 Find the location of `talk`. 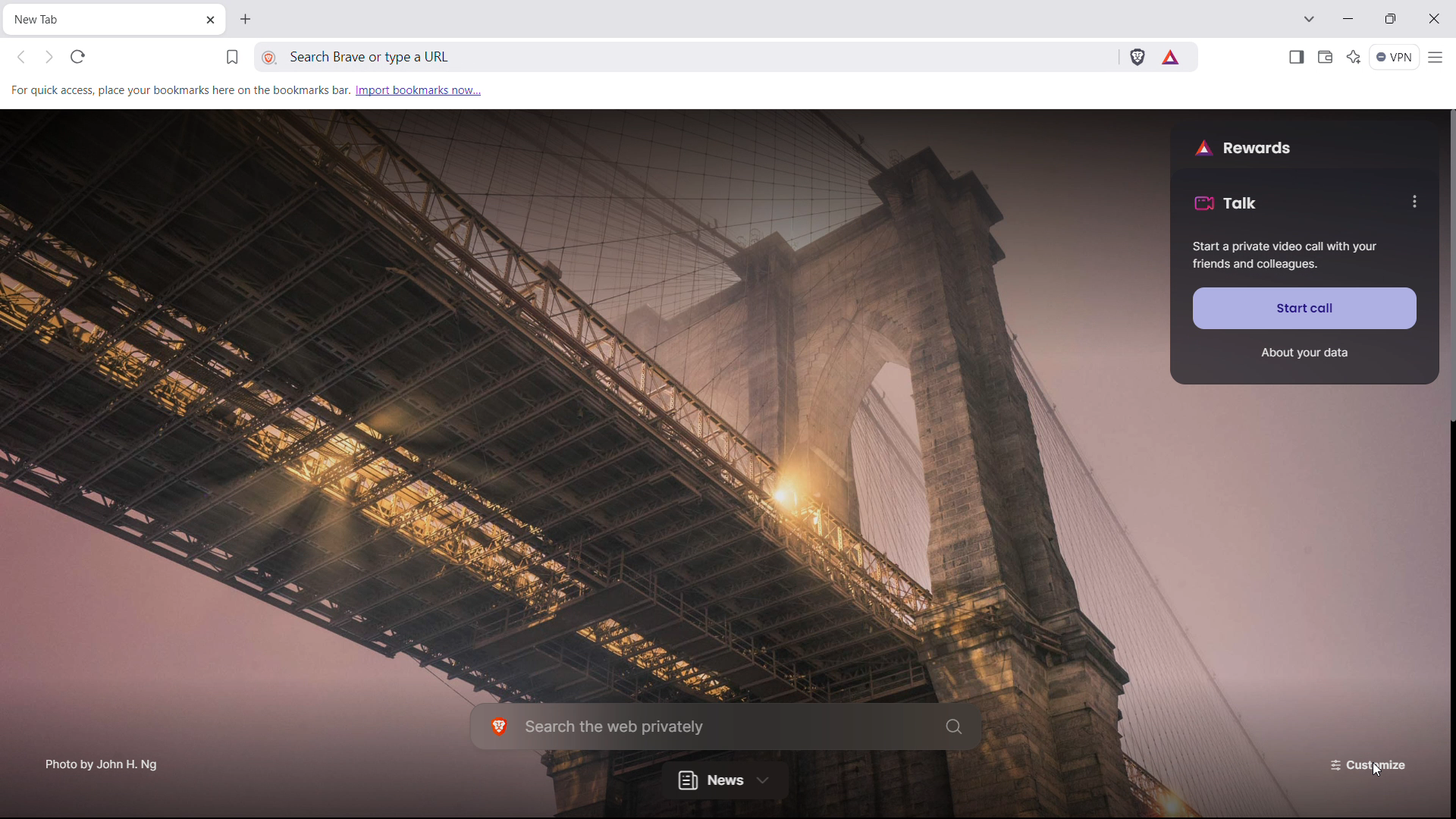

talk is located at coordinates (1225, 202).